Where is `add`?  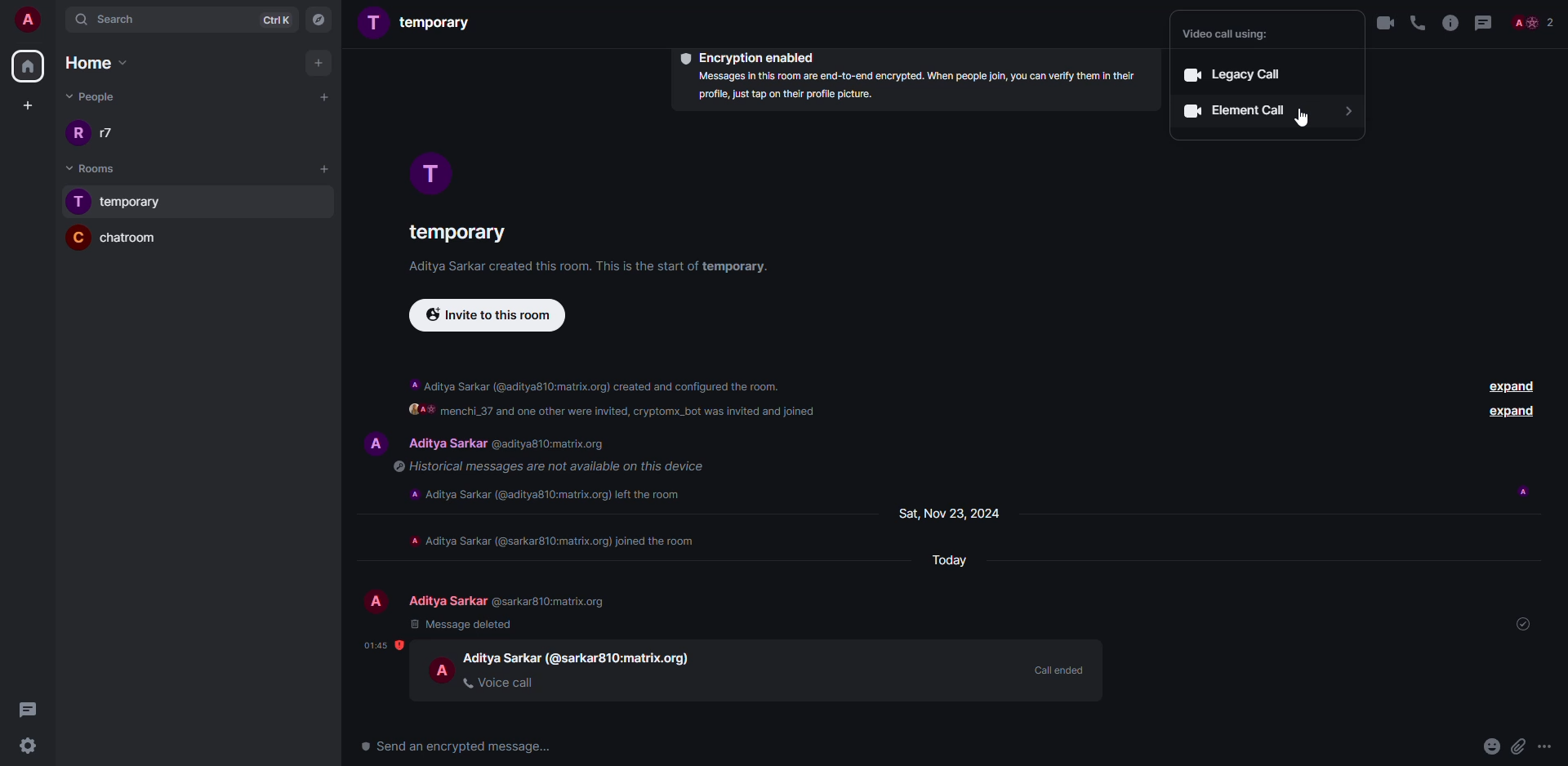 add is located at coordinates (320, 62).